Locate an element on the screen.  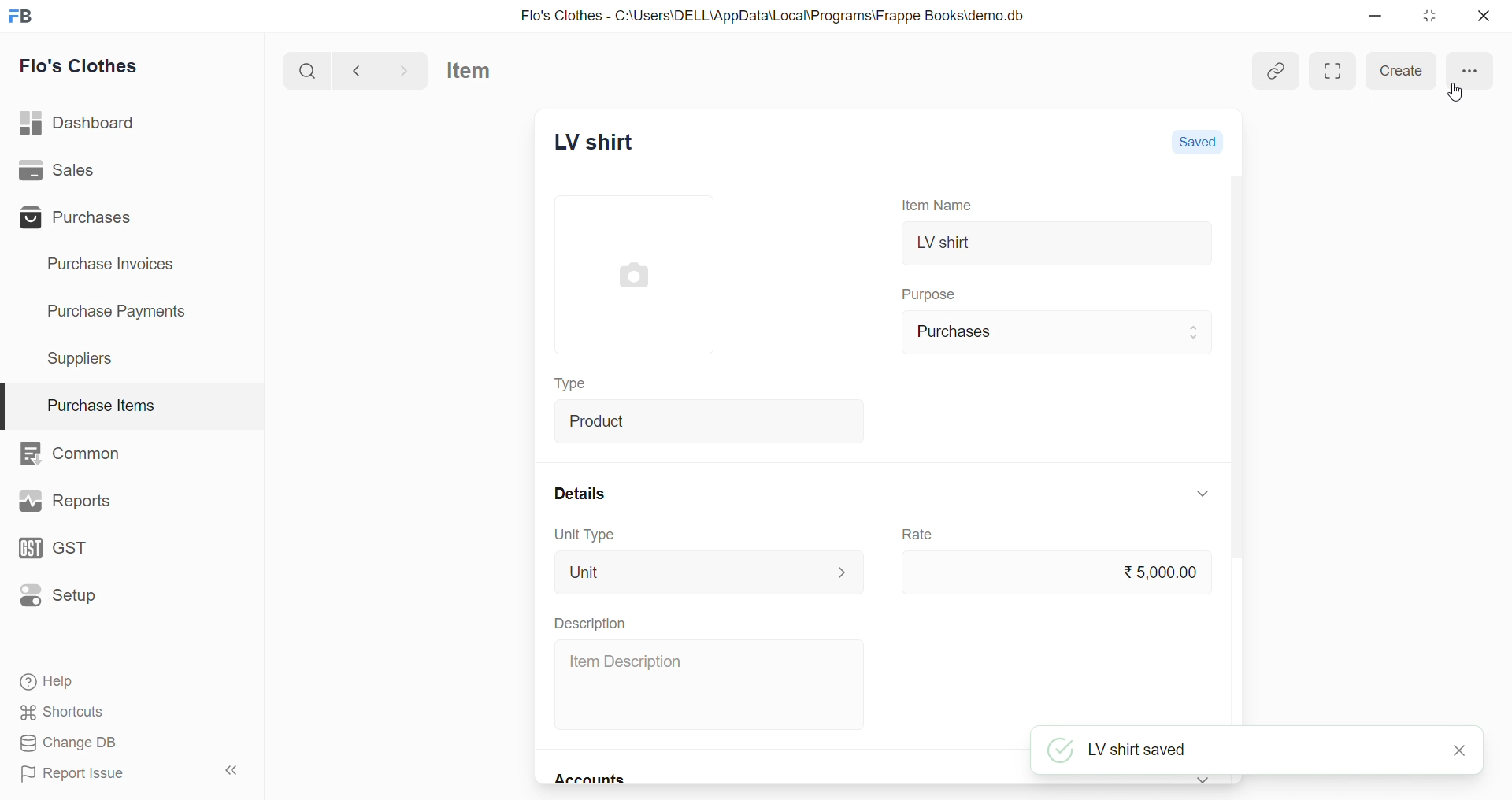
Rate is located at coordinates (920, 535).